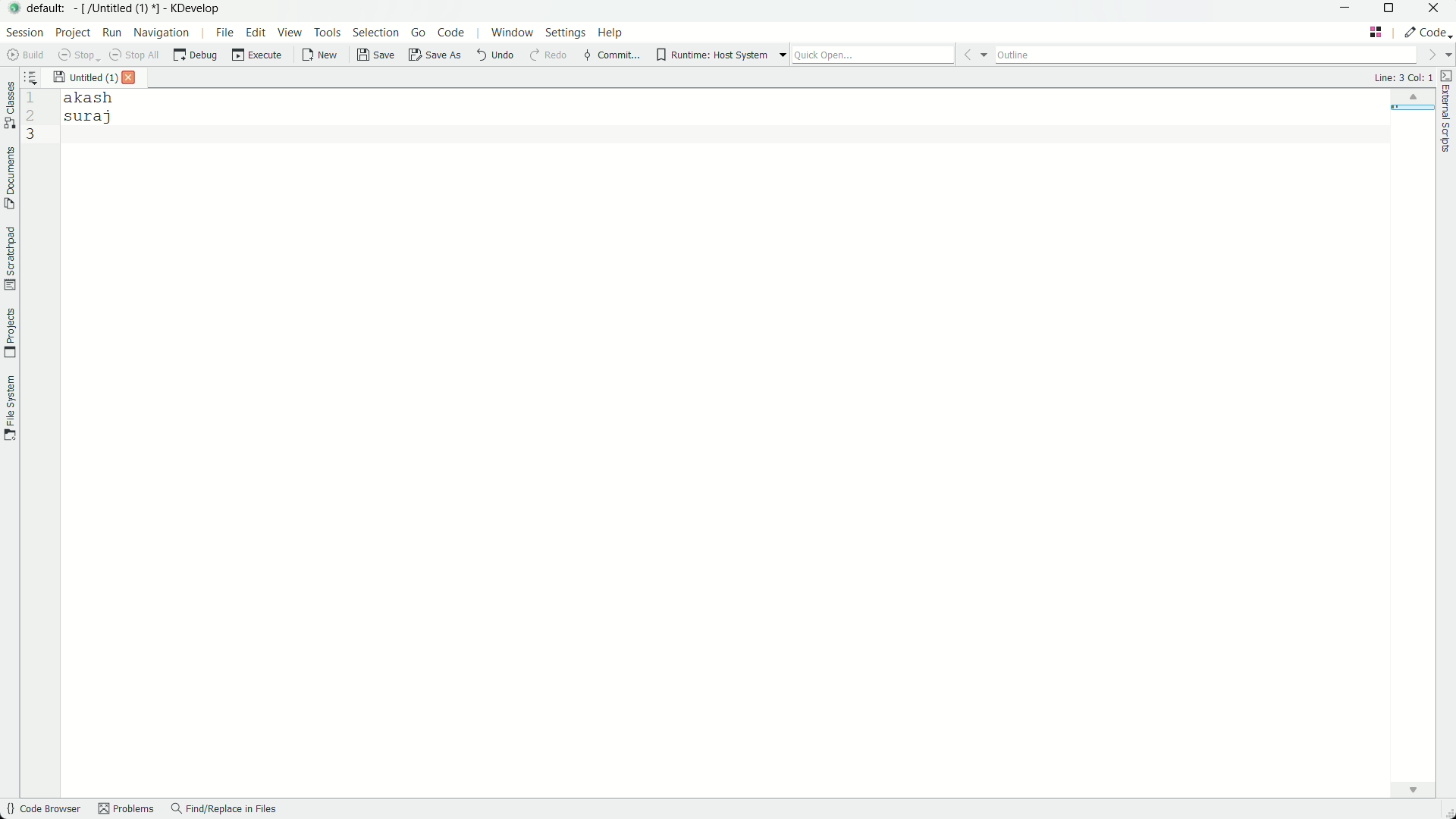  What do you see at coordinates (1402, 77) in the screenshot?
I see `lines and columns` at bounding box center [1402, 77].